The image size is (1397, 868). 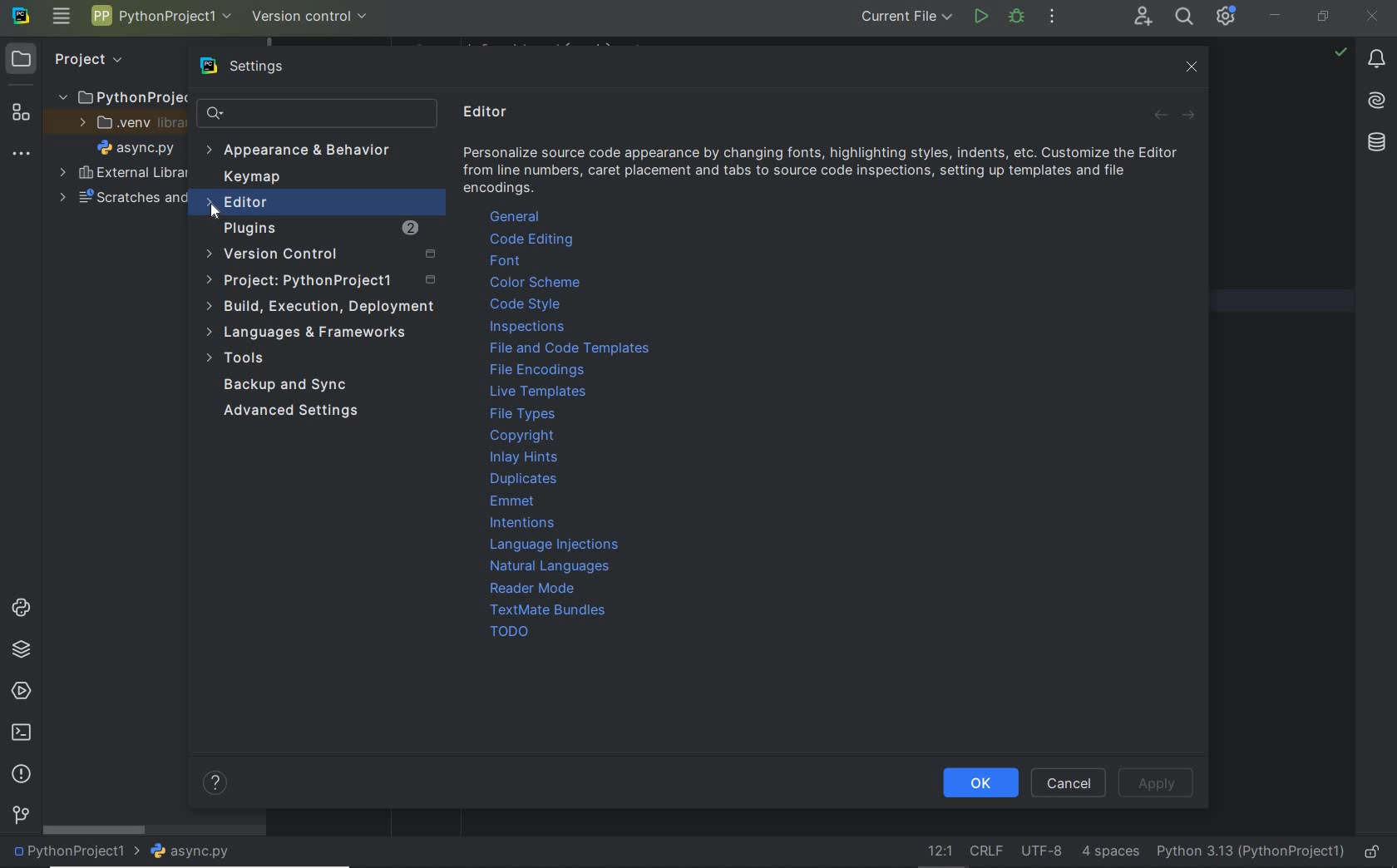 What do you see at coordinates (525, 304) in the screenshot?
I see `code style` at bounding box center [525, 304].